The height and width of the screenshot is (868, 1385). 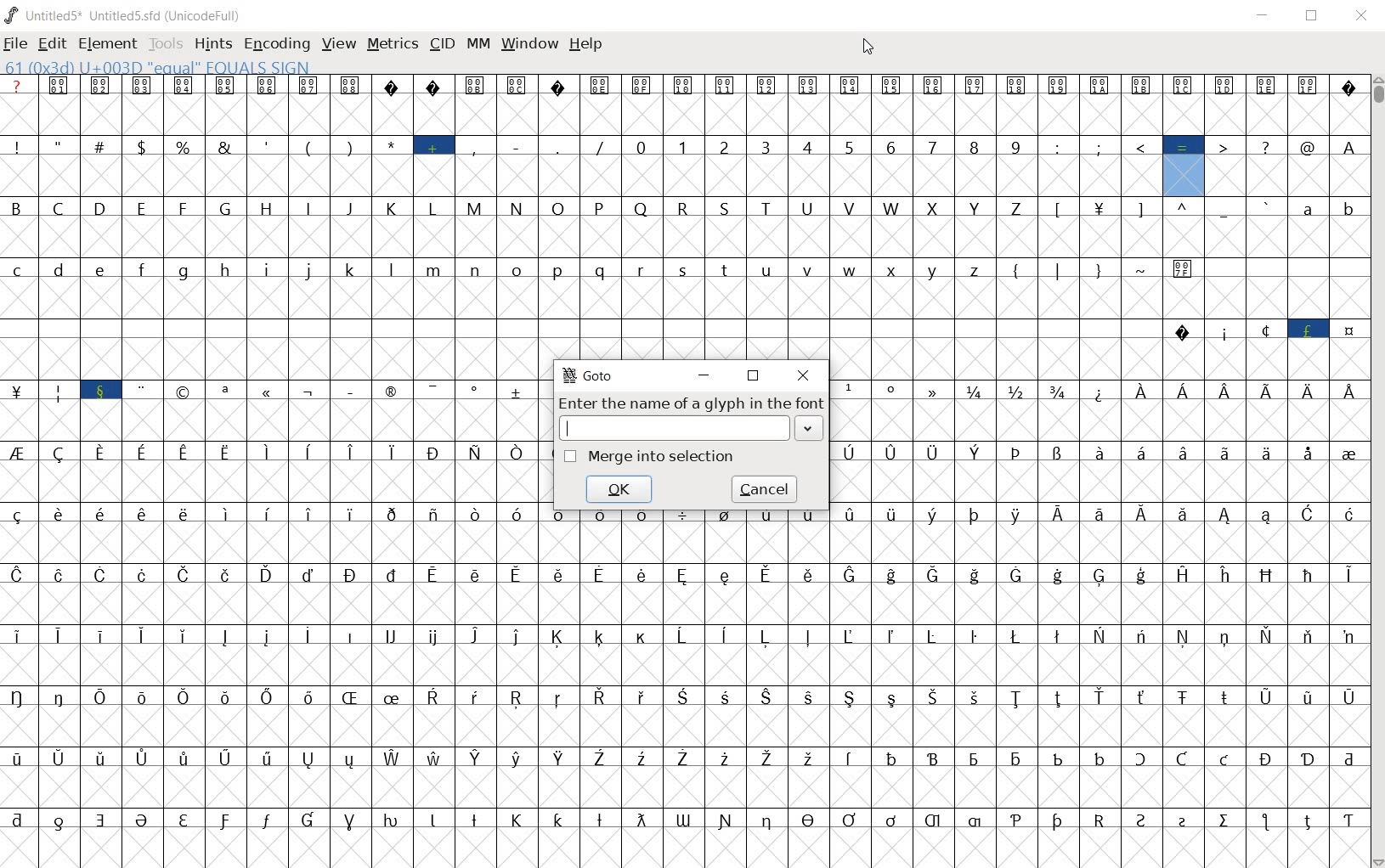 I want to click on edit, so click(x=51, y=46).